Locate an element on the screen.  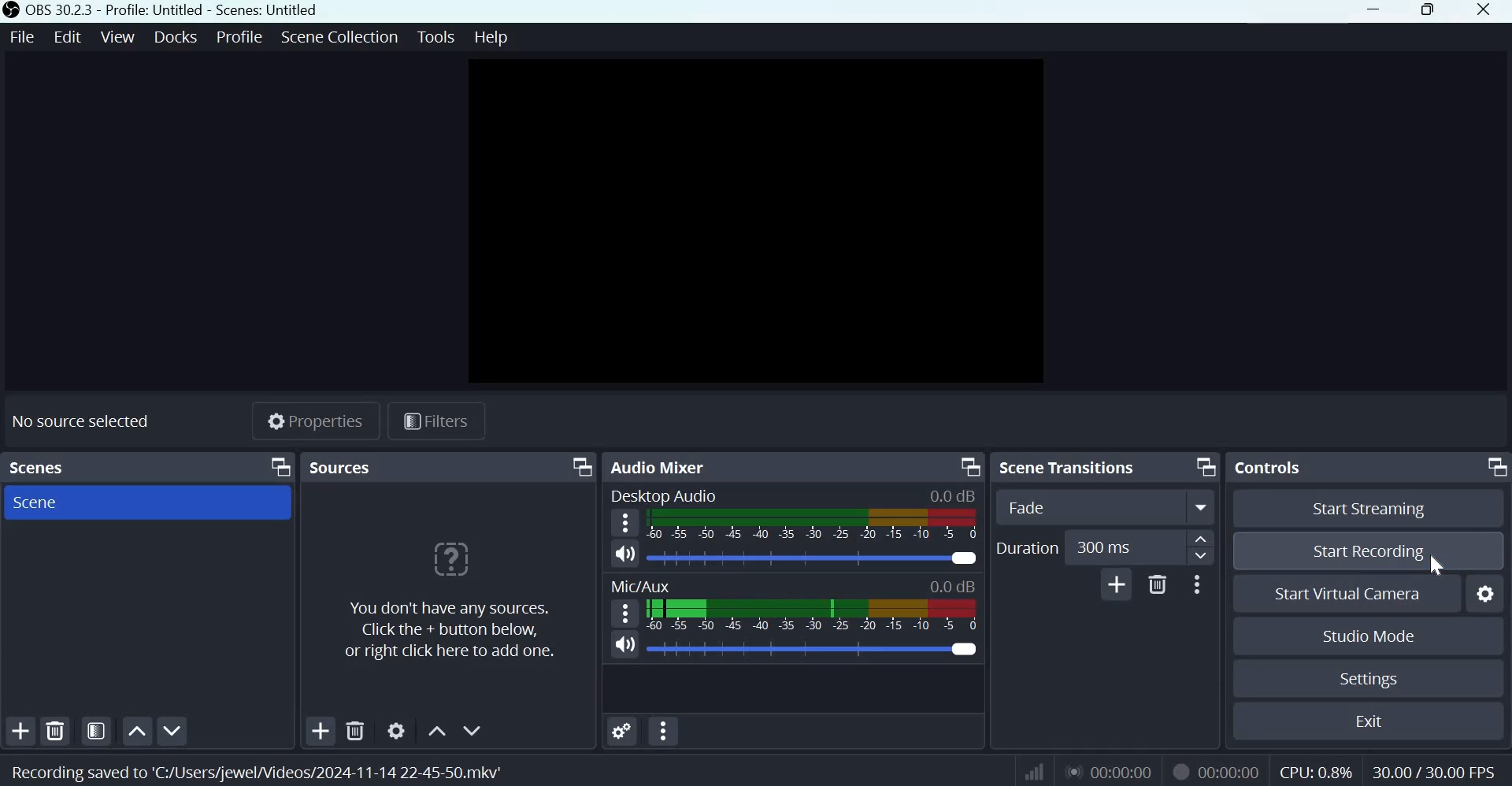
Move source(s) down is located at coordinates (472, 731).